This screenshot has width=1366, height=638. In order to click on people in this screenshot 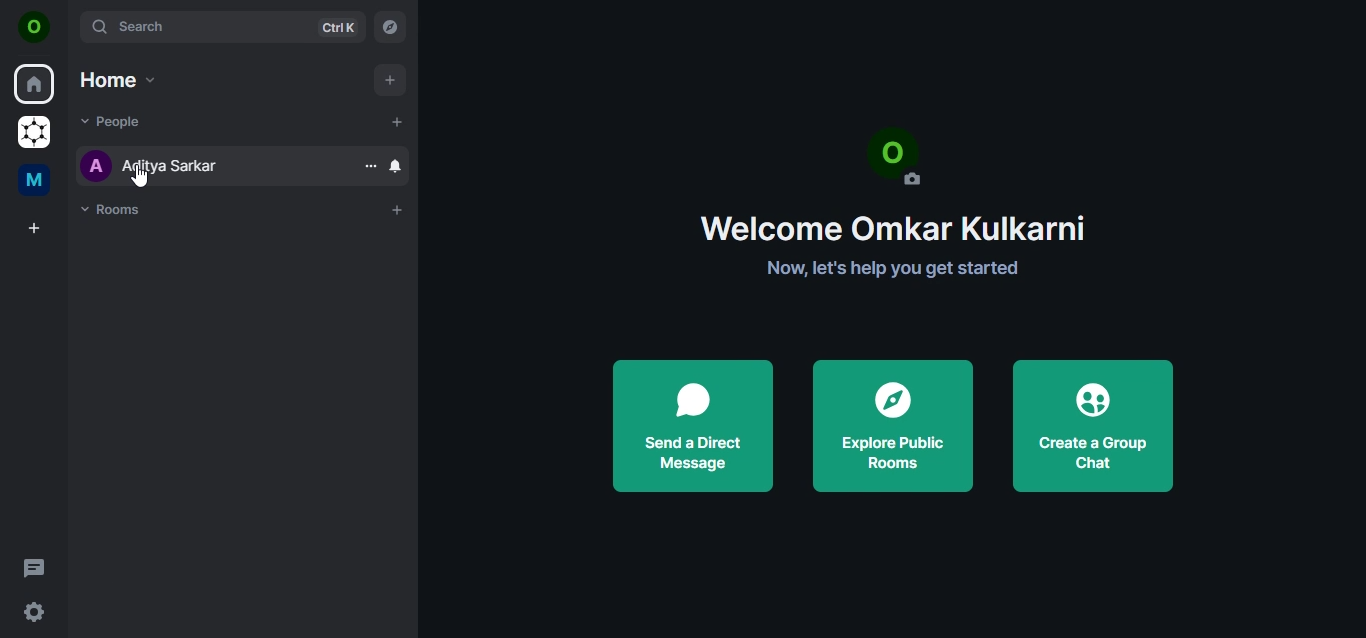, I will do `click(113, 123)`.